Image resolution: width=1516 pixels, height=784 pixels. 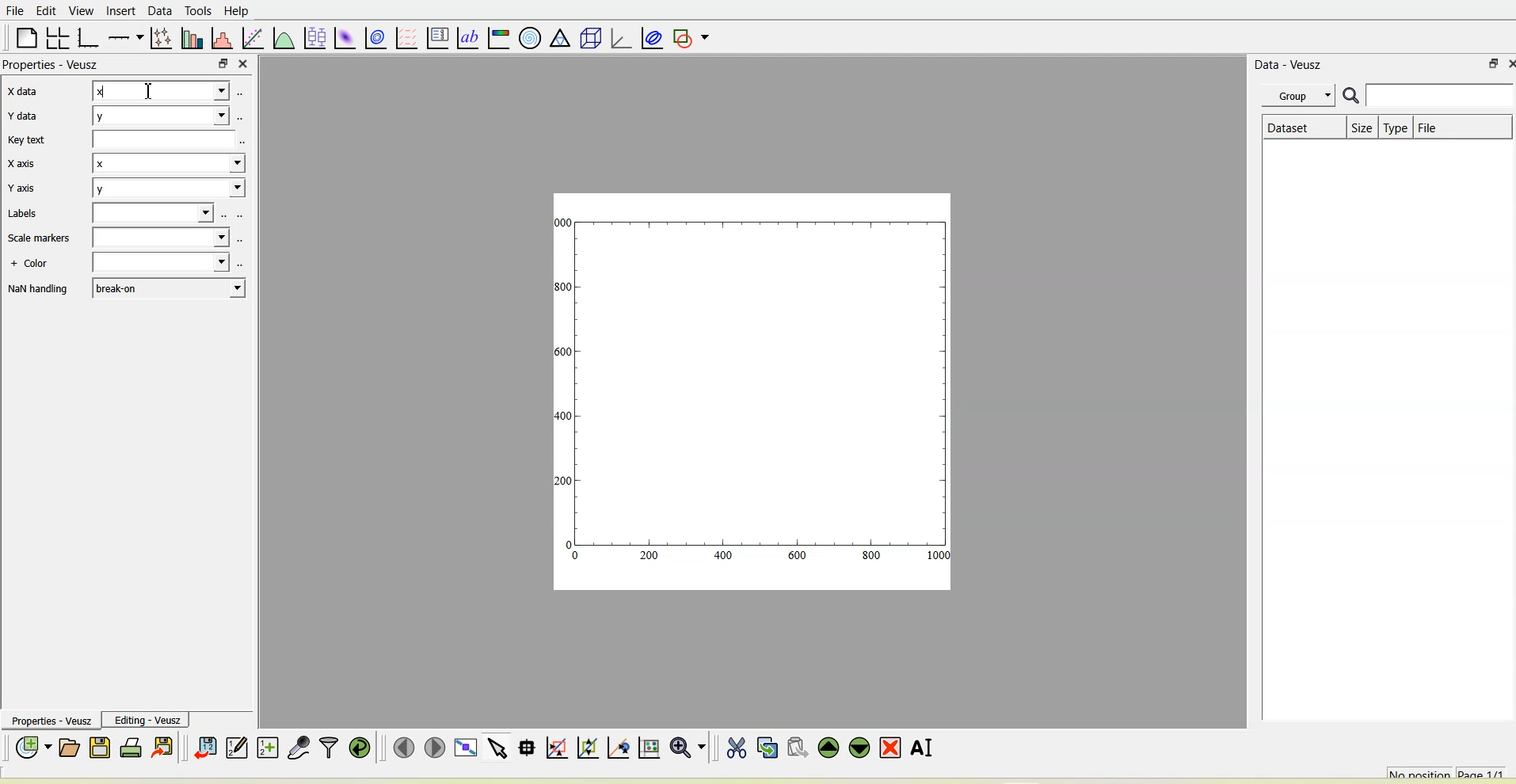 I want to click on 600, so click(x=799, y=555).